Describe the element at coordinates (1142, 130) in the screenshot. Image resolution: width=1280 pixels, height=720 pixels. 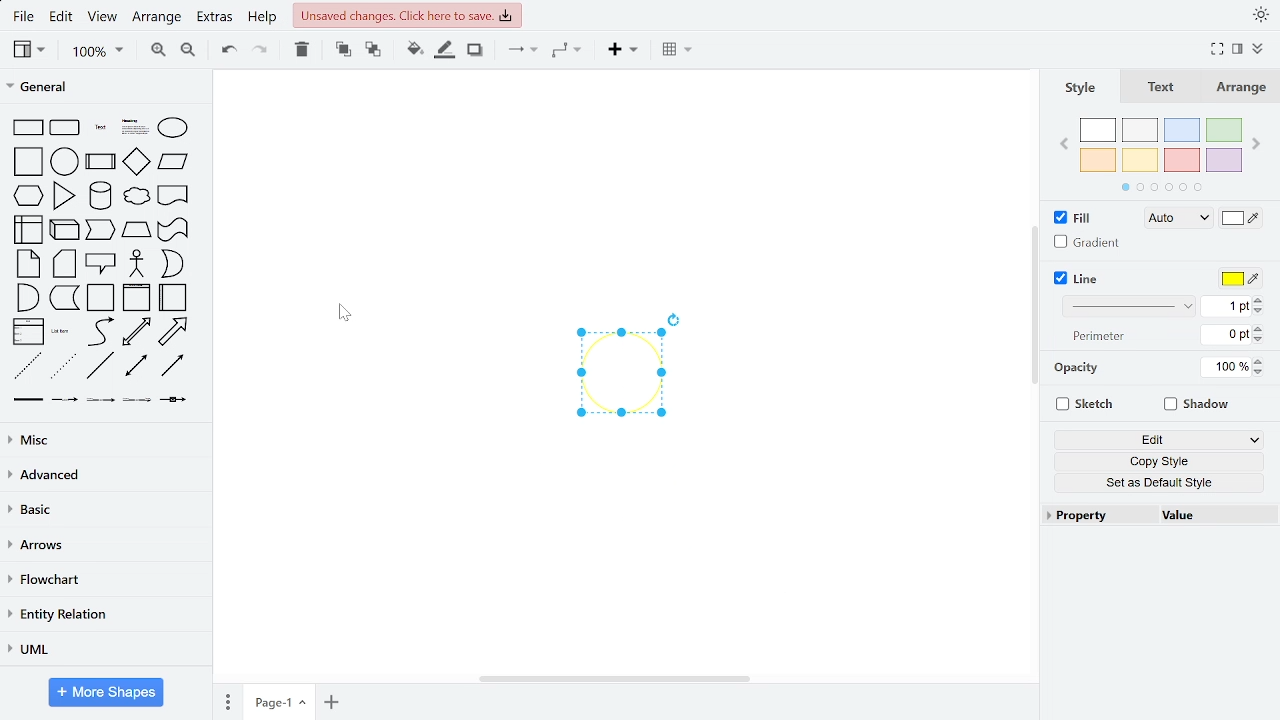
I see `ash` at that location.